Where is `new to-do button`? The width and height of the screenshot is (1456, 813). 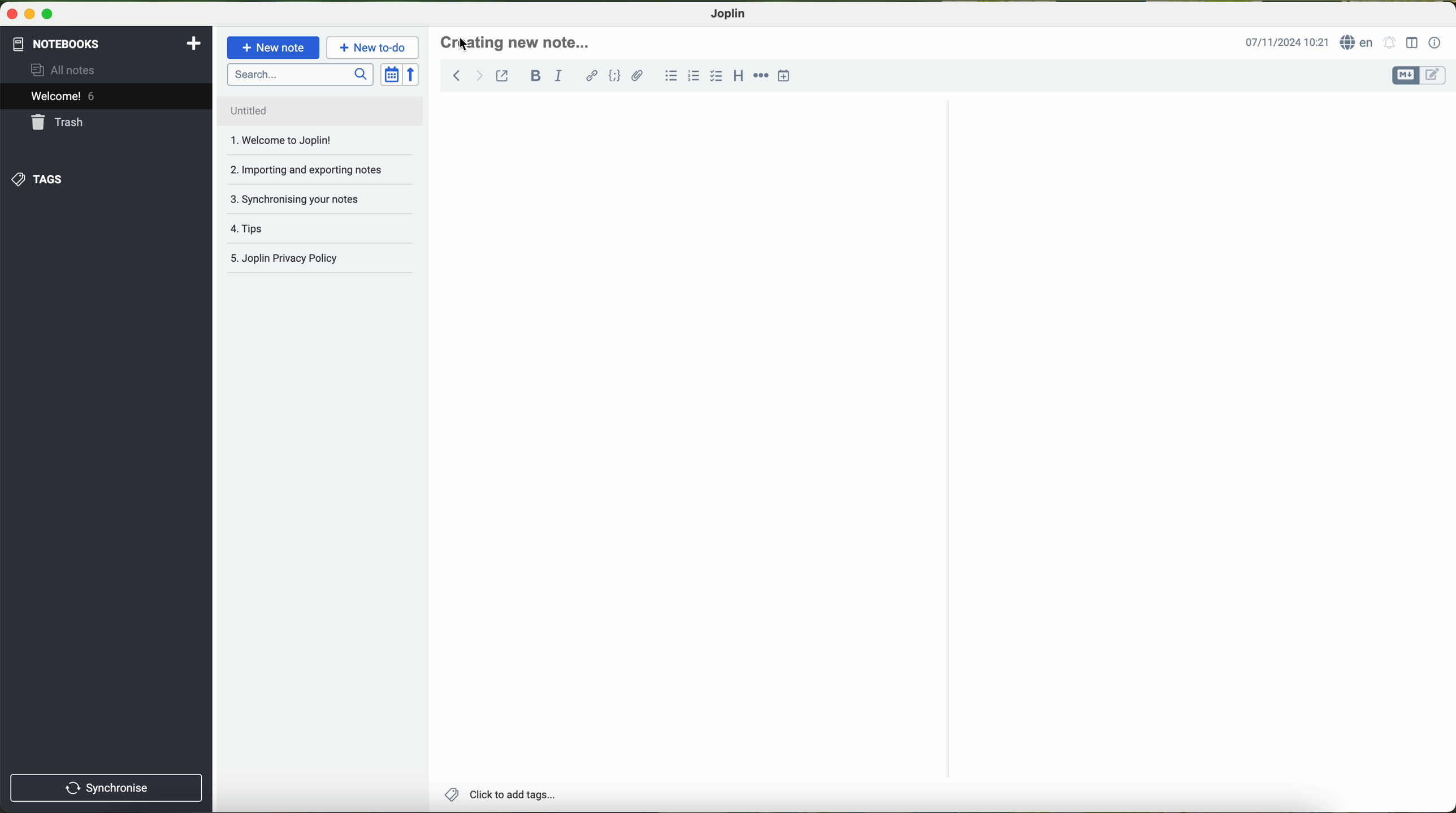
new to-do button is located at coordinates (372, 47).